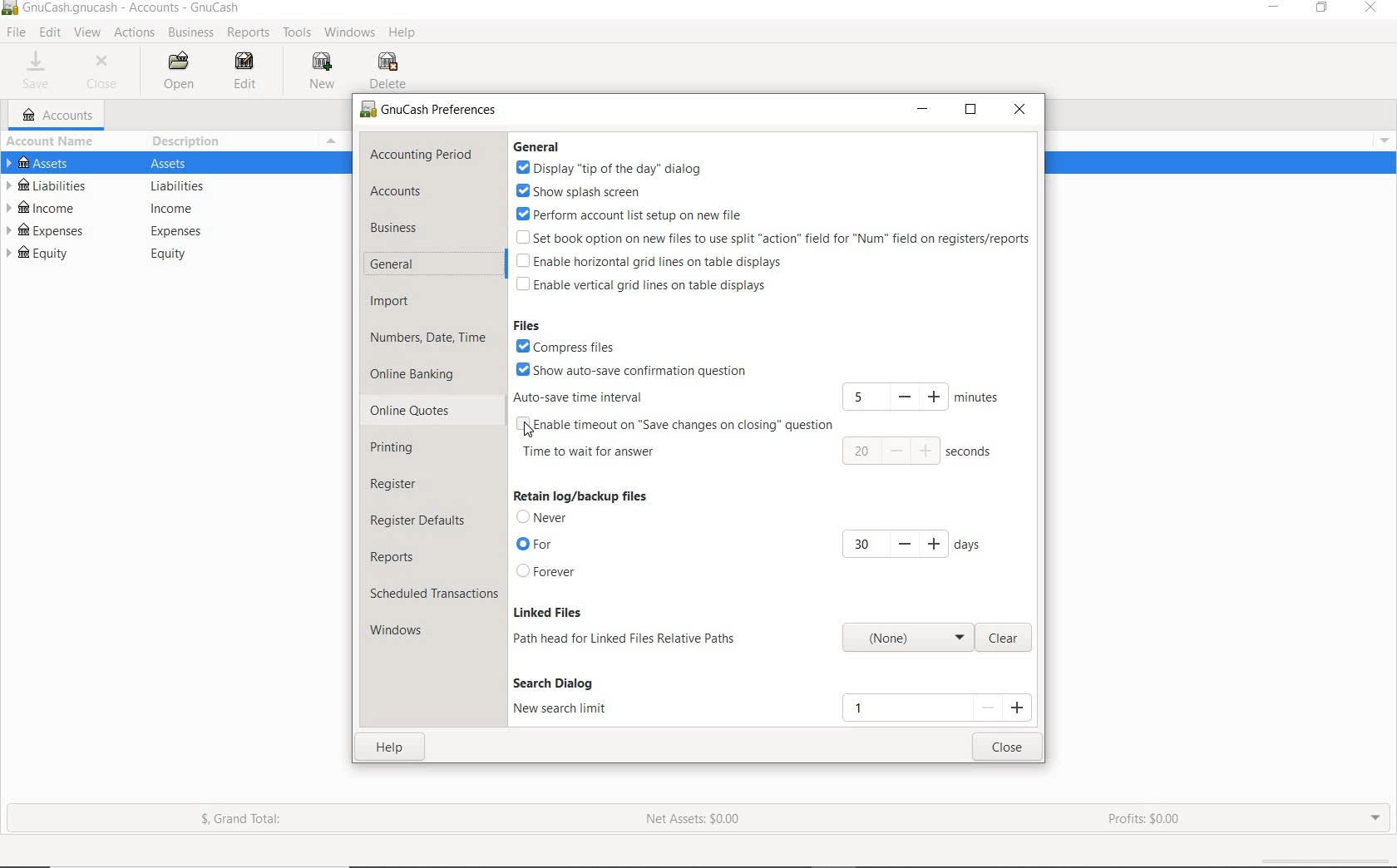  I want to click on CLOSE, so click(1373, 9).